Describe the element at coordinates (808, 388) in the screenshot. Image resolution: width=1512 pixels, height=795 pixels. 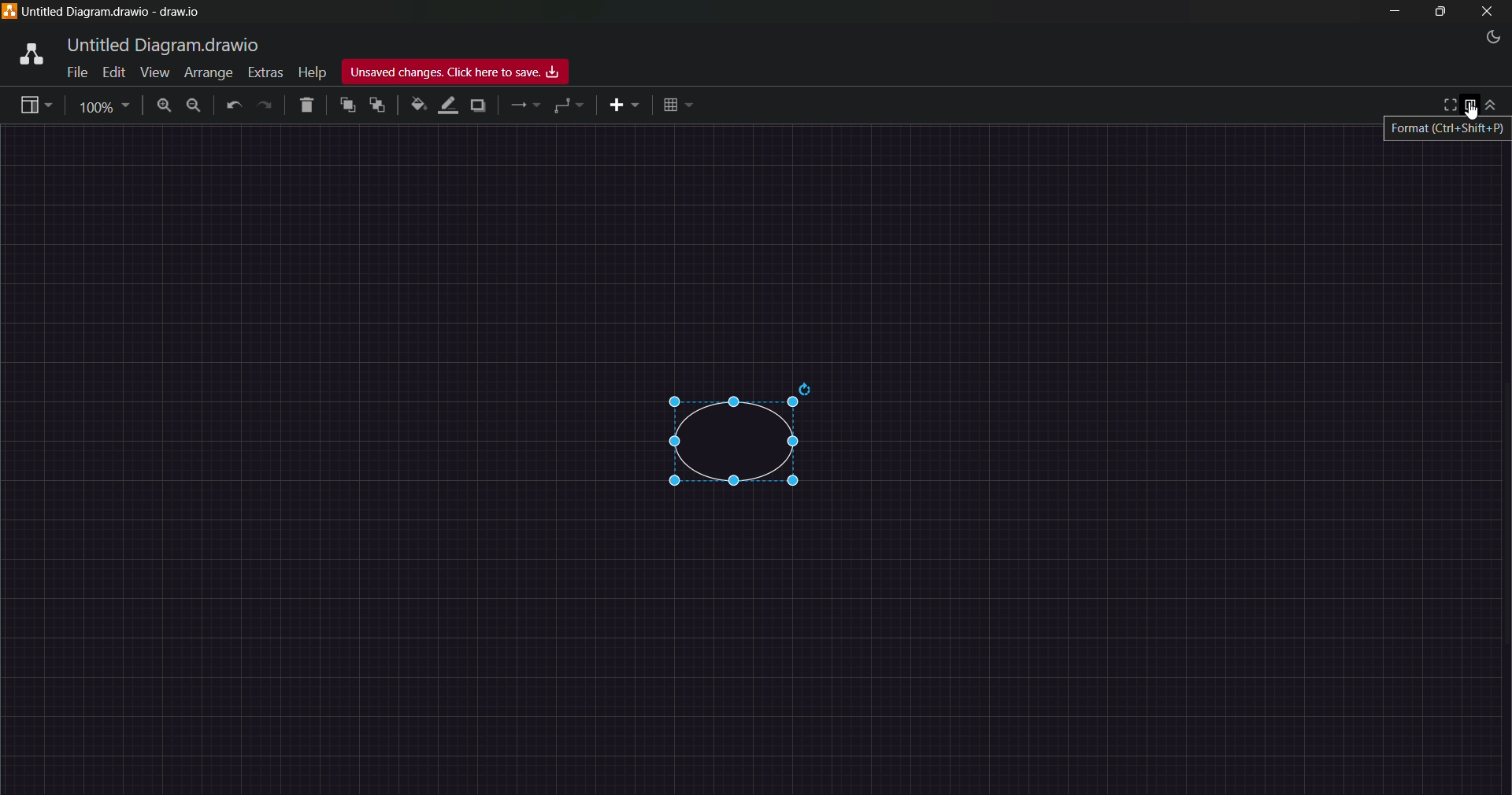
I see `rotate current diagram` at that location.